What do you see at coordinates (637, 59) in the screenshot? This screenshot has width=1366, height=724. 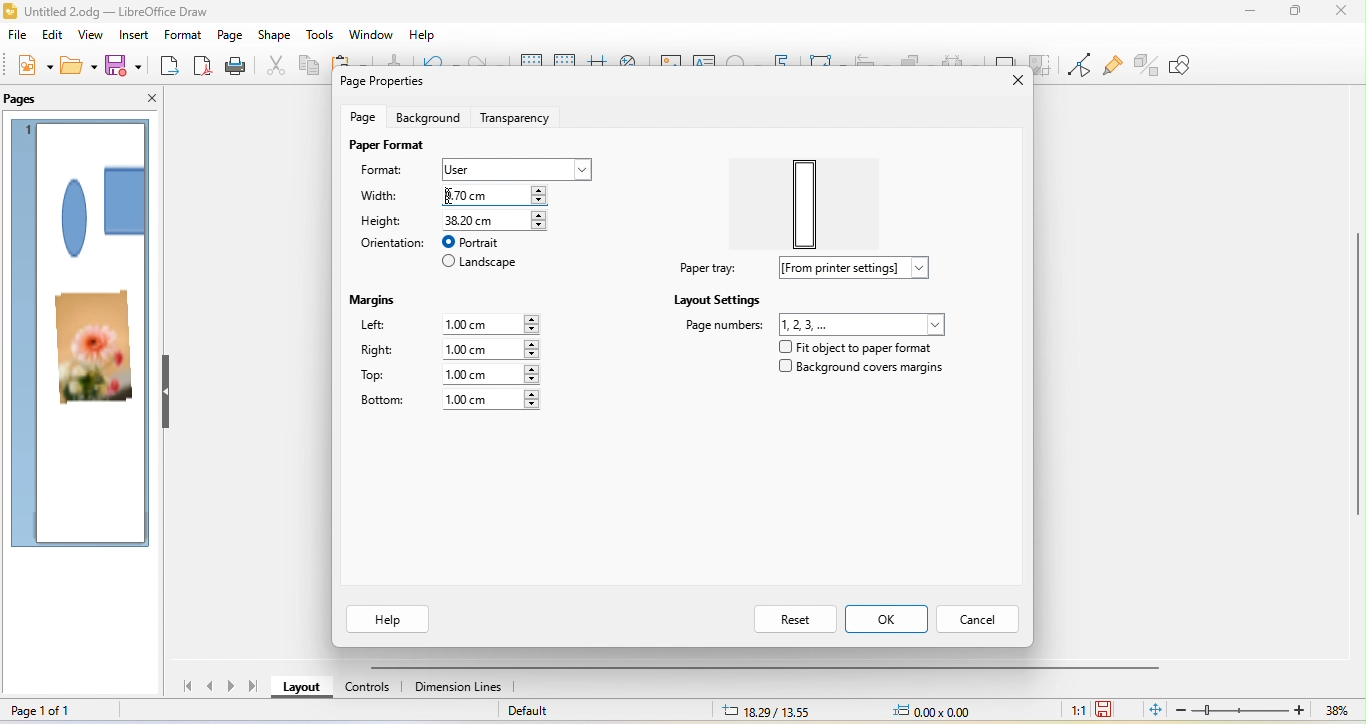 I see `zoom and pan` at bounding box center [637, 59].